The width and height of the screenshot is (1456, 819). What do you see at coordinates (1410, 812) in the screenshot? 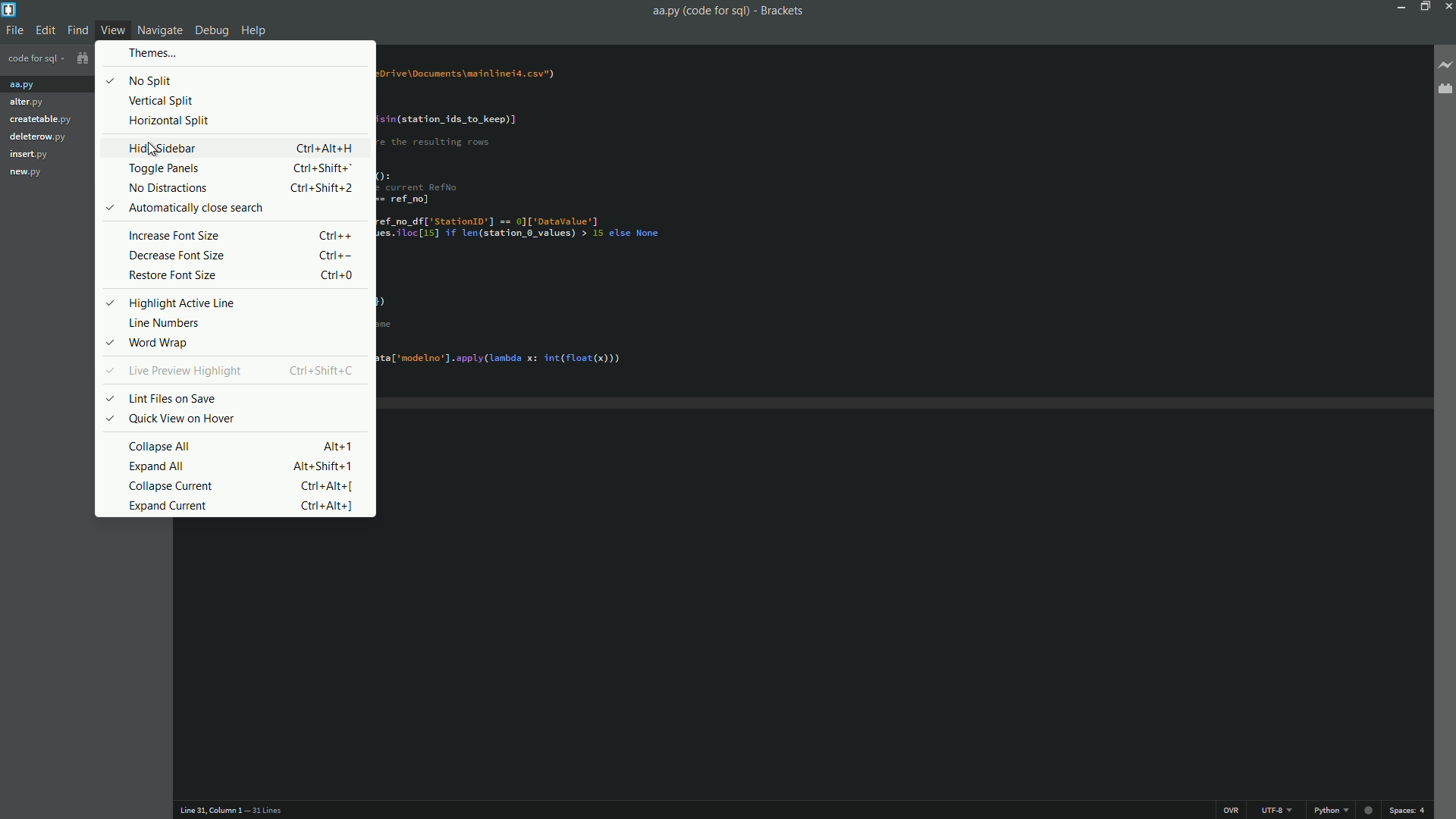
I see `space button` at bounding box center [1410, 812].